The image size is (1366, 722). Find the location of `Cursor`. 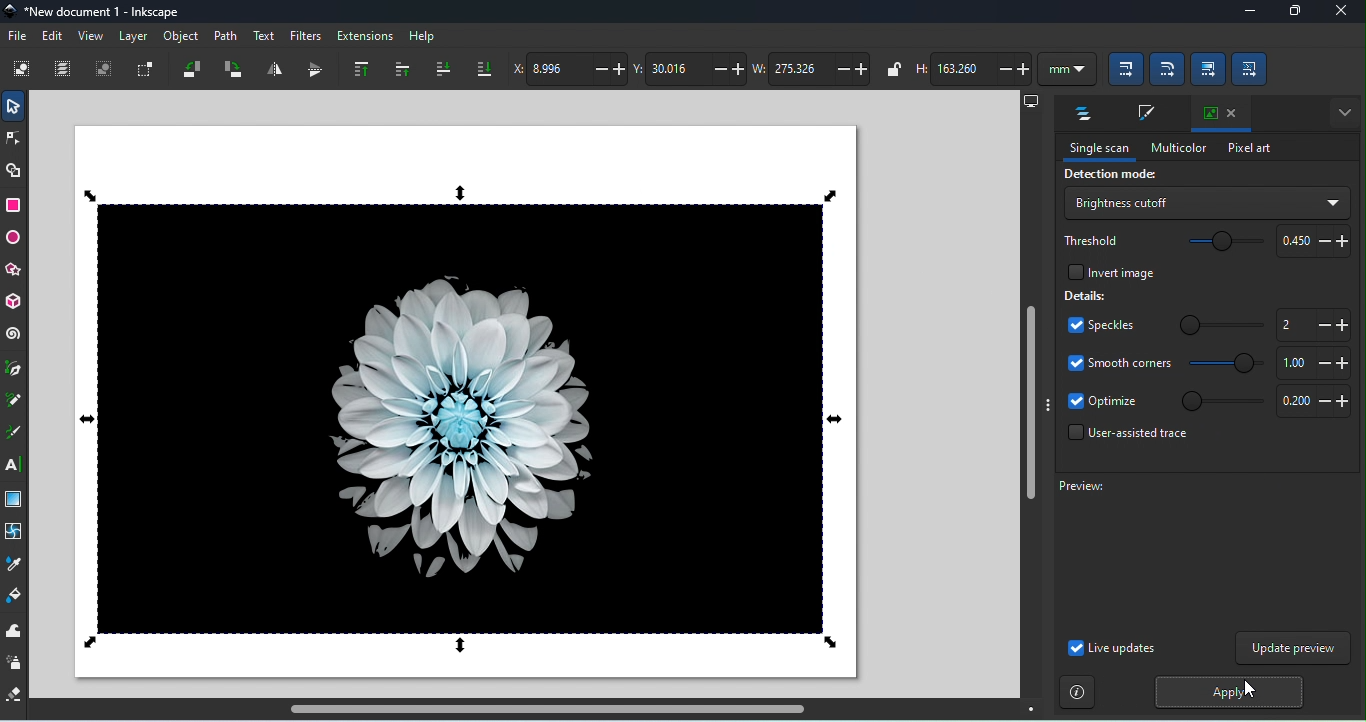

Cursor is located at coordinates (1247, 691).